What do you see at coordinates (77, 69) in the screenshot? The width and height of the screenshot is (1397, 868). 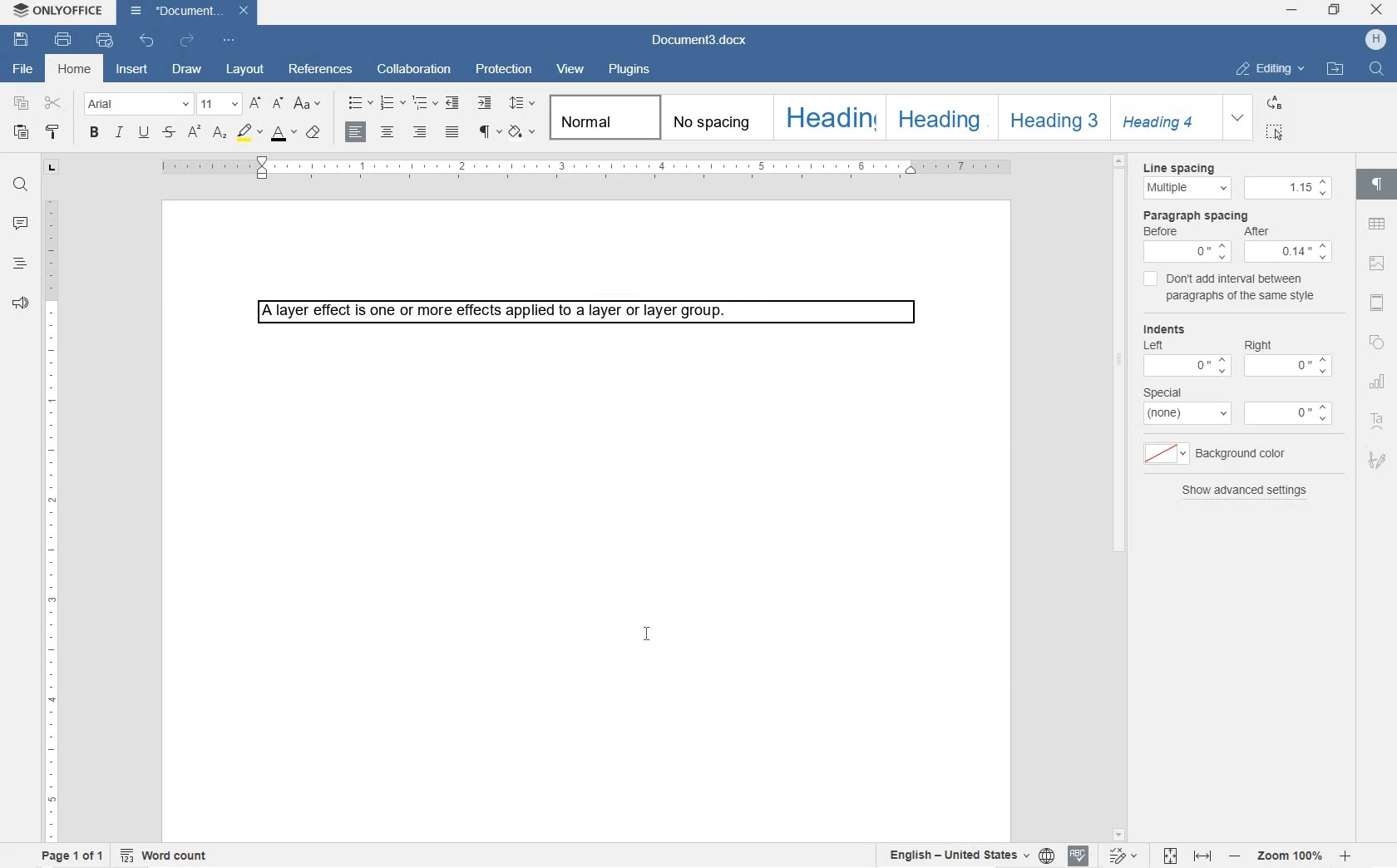 I see `HOME` at bounding box center [77, 69].